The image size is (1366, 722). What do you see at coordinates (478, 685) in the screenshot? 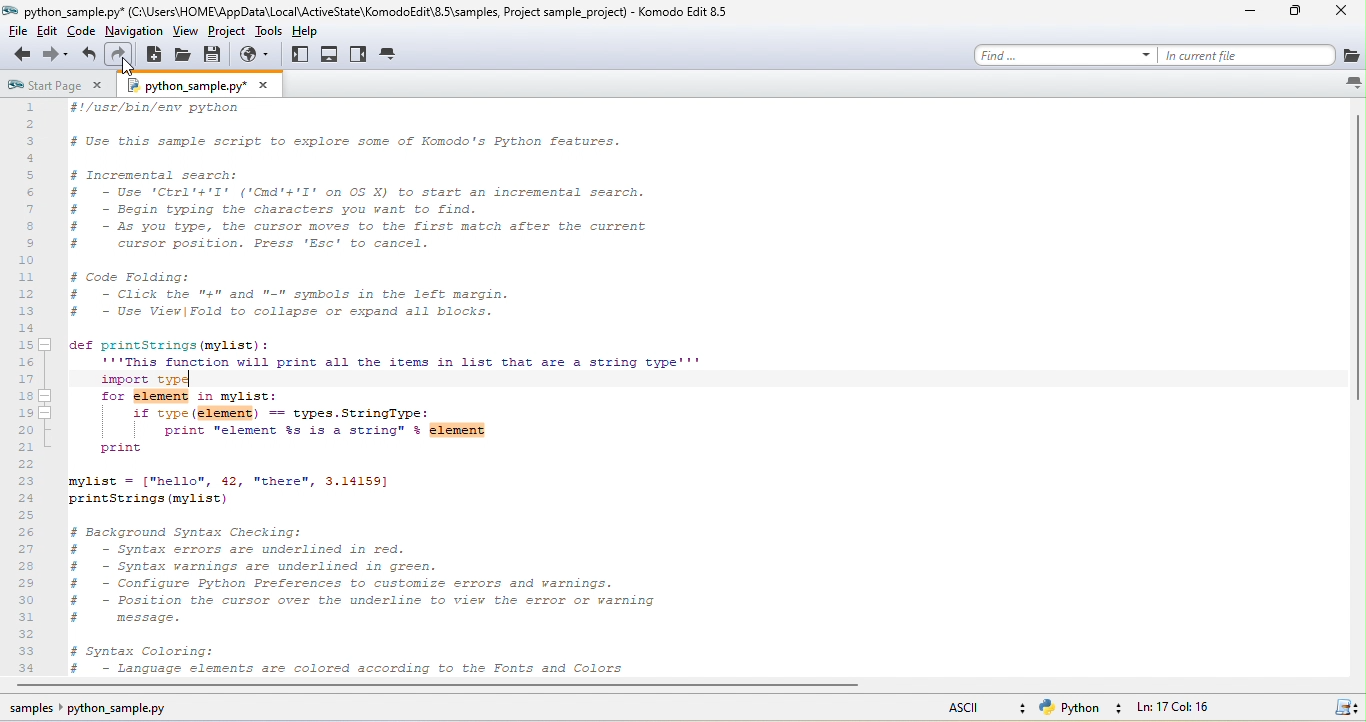
I see `horizontal scroll bar` at bounding box center [478, 685].